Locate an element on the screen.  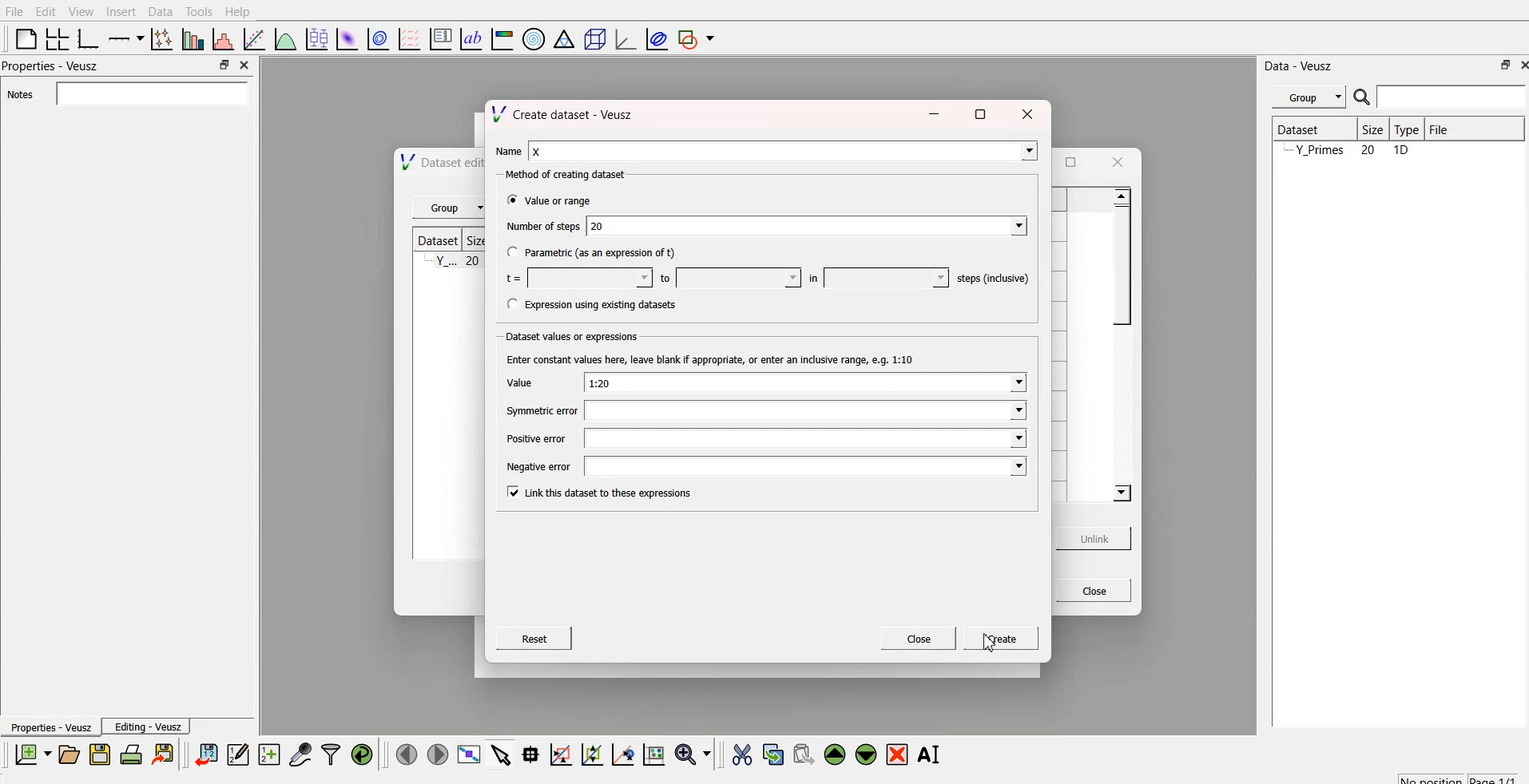
[gee is located at coordinates (999, 642).